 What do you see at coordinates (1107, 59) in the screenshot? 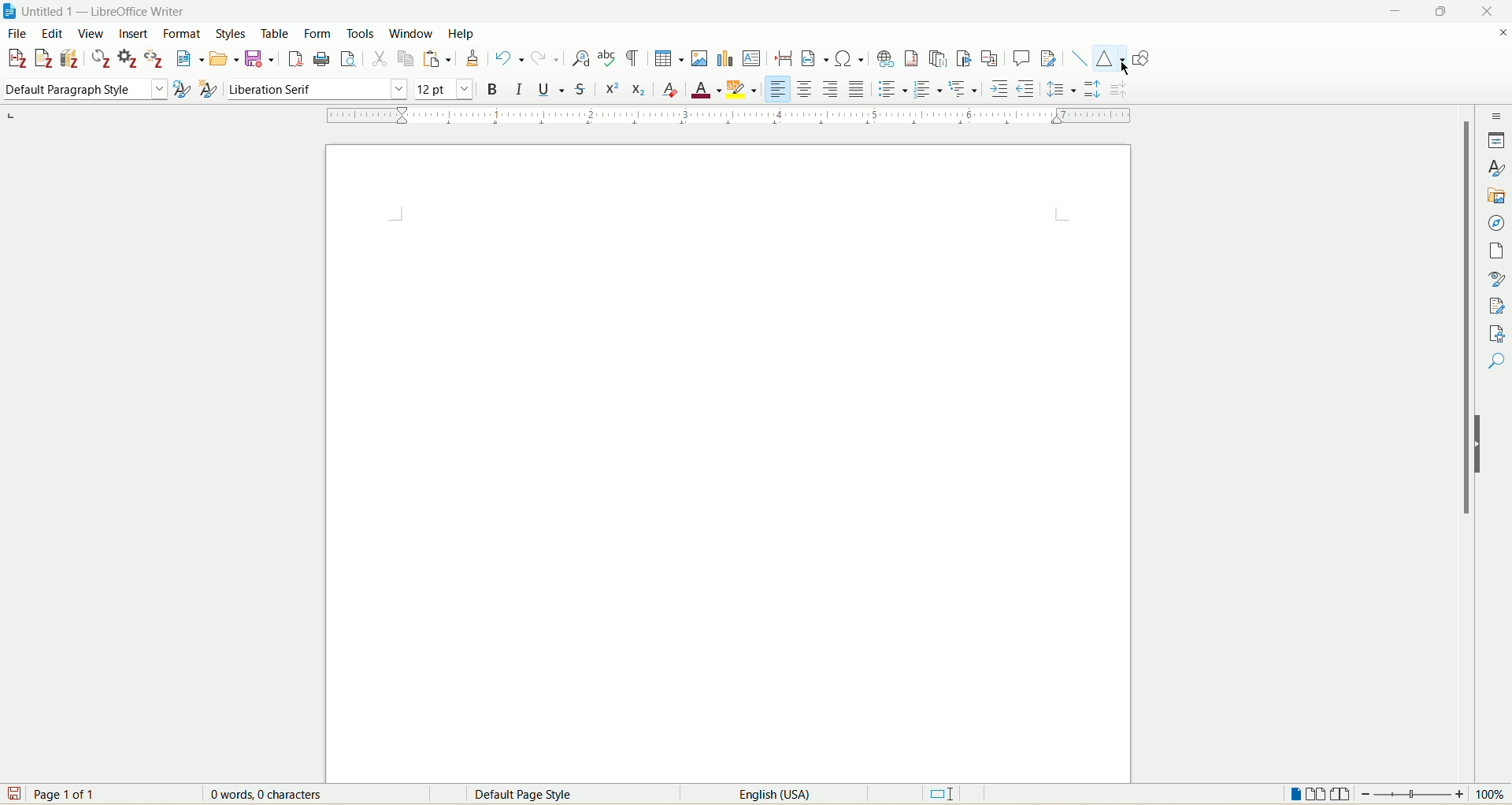
I see `basic shapes` at bounding box center [1107, 59].